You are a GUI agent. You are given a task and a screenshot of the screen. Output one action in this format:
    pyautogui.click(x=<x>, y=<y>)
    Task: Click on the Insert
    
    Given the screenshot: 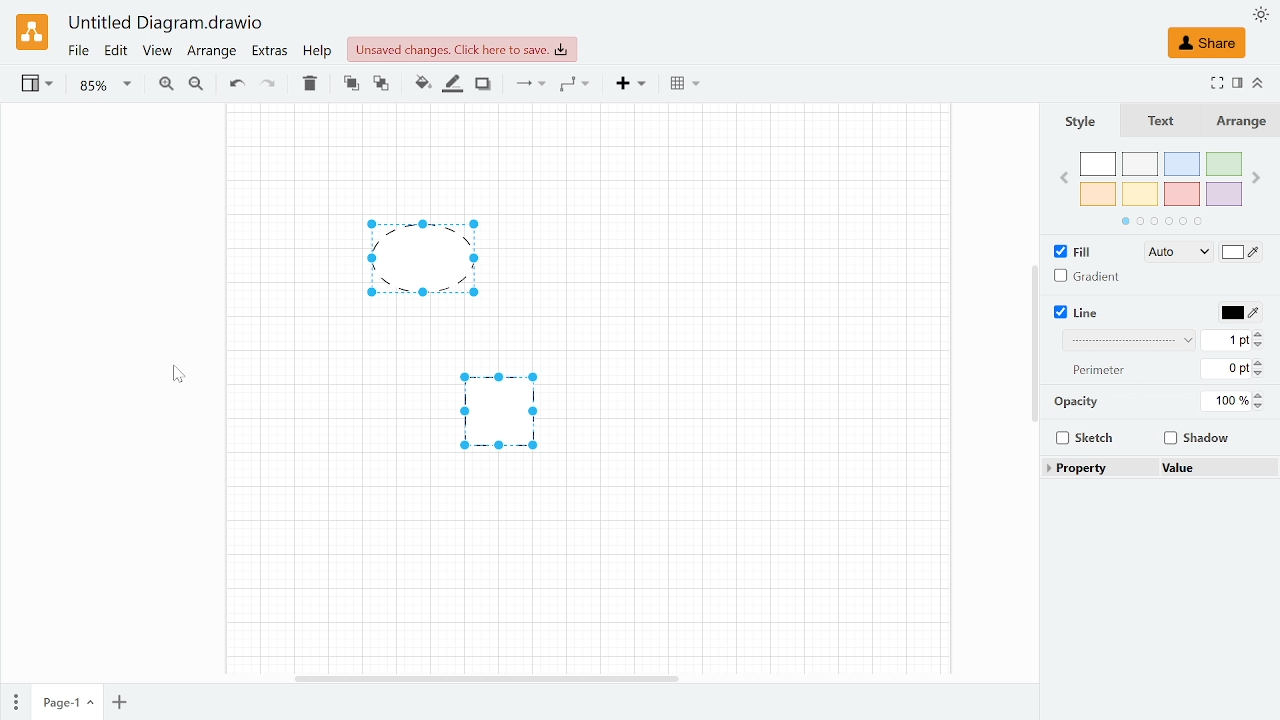 What is the action you would take?
    pyautogui.click(x=632, y=84)
    